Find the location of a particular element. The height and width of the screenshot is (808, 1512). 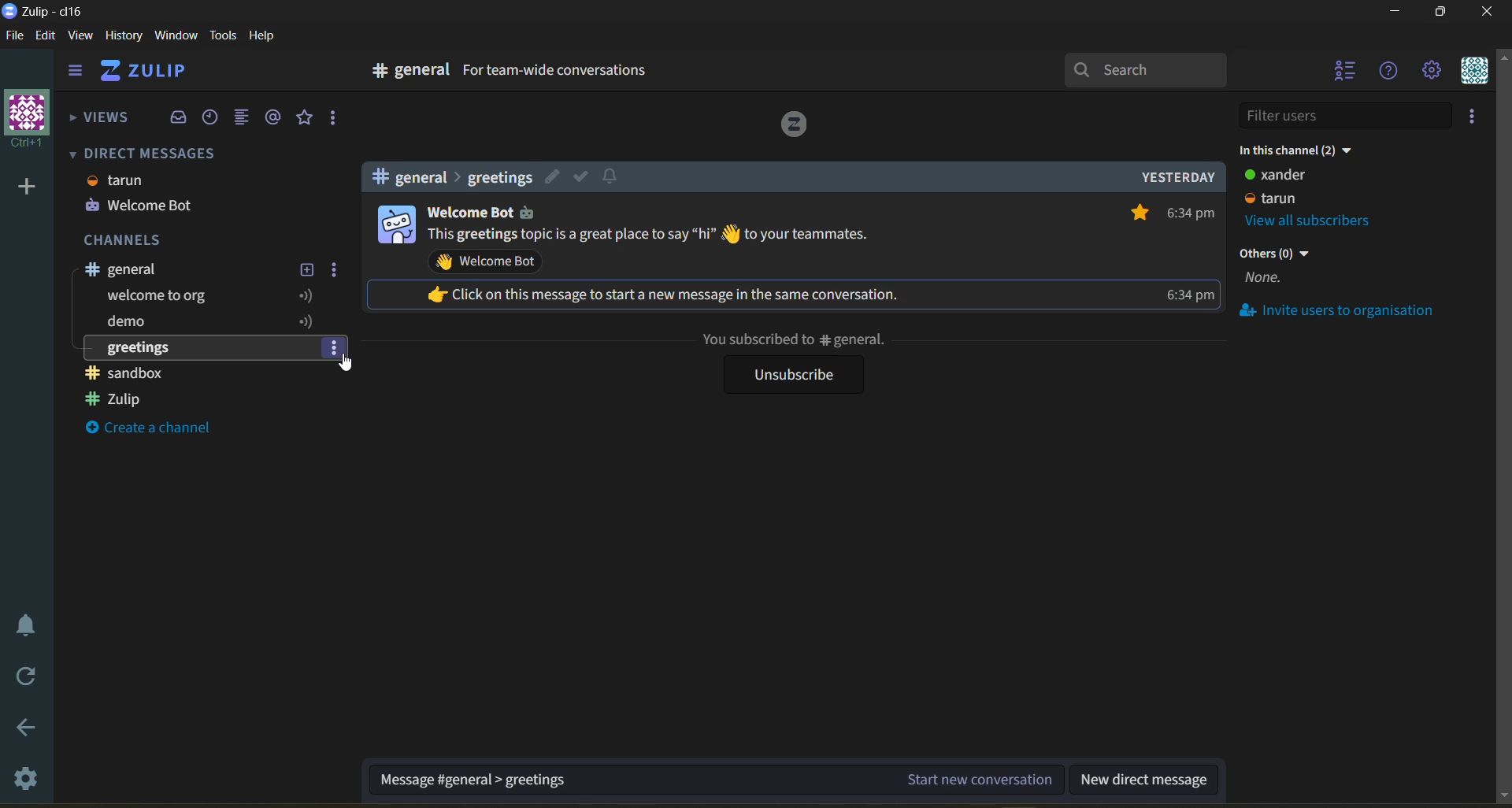

star is located at coordinates (1136, 211).